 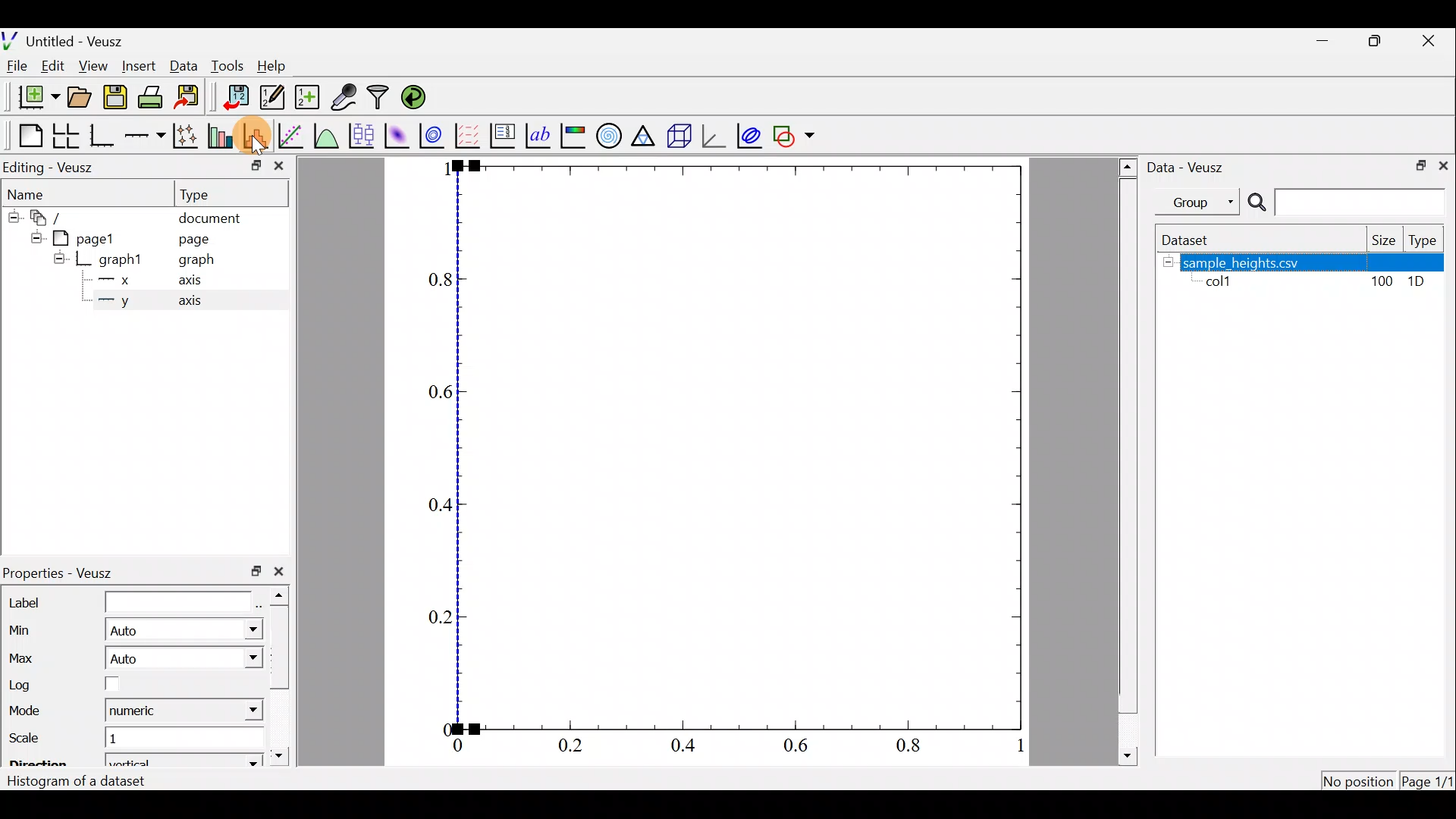 I want to click on direction dropdown, so click(x=231, y=761).